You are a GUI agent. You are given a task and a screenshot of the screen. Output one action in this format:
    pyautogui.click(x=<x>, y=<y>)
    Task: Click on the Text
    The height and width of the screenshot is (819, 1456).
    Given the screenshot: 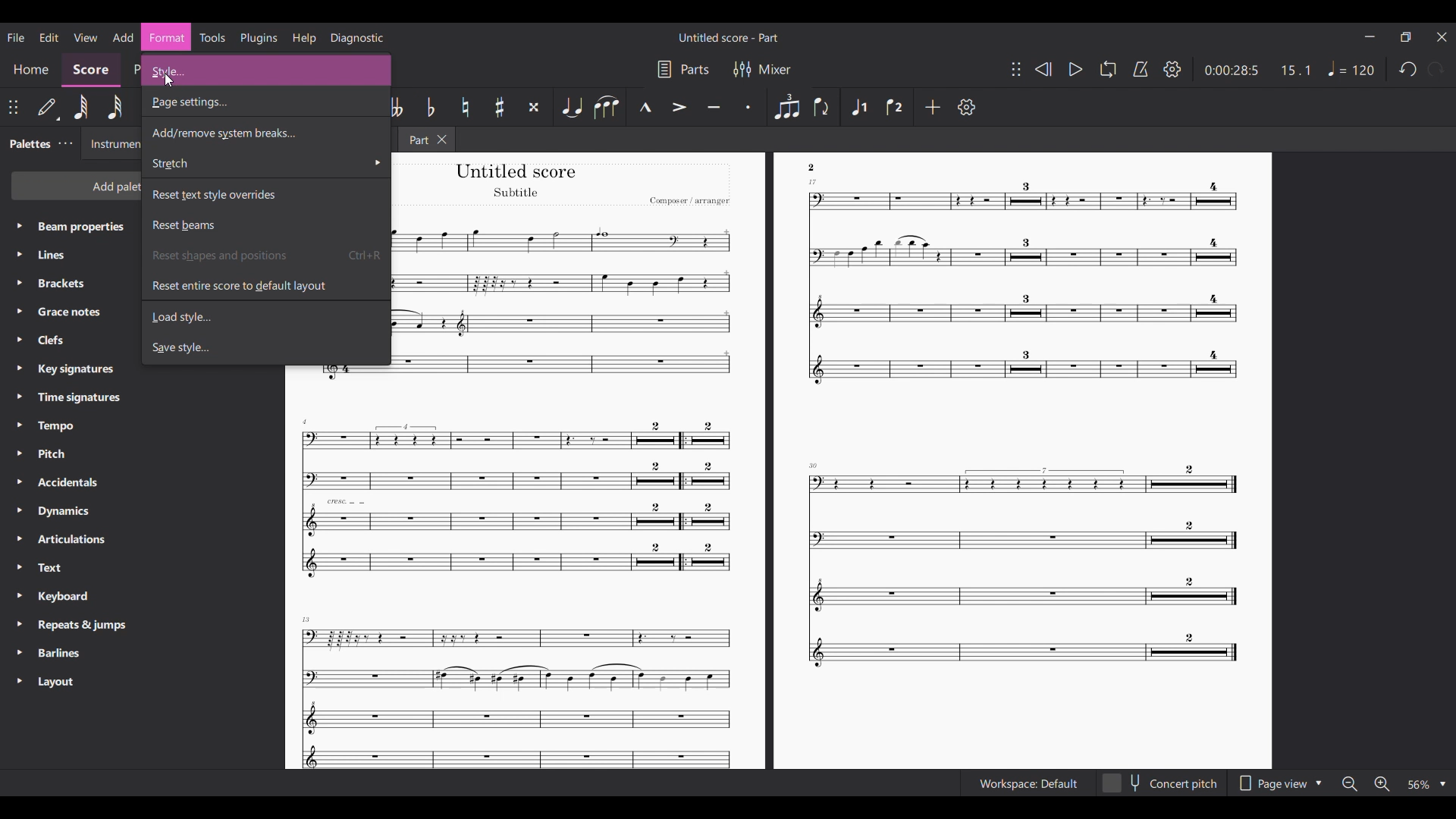 What is the action you would take?
    pyautogui.click(x=66, y=566)
    